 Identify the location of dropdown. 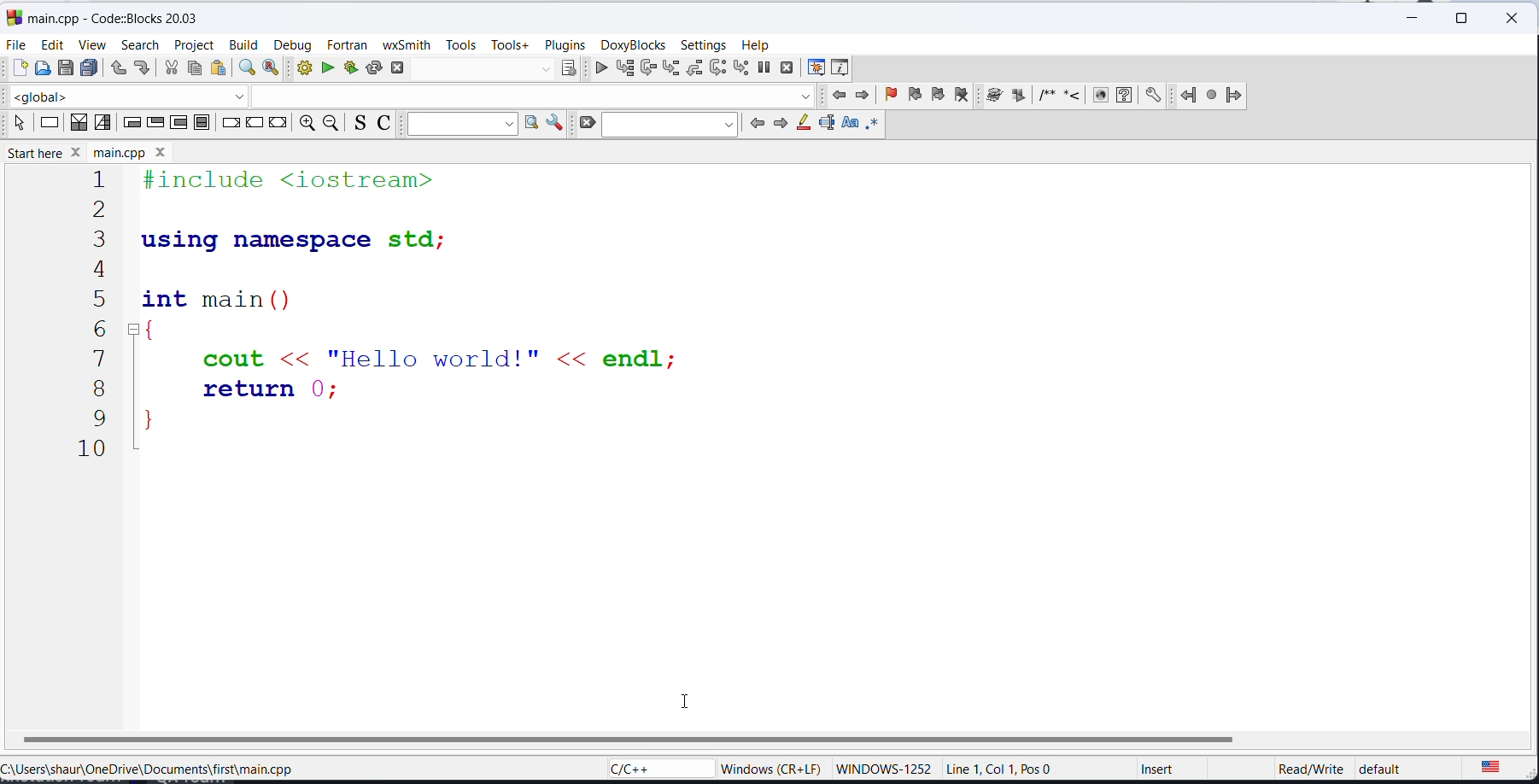
(670, 126).